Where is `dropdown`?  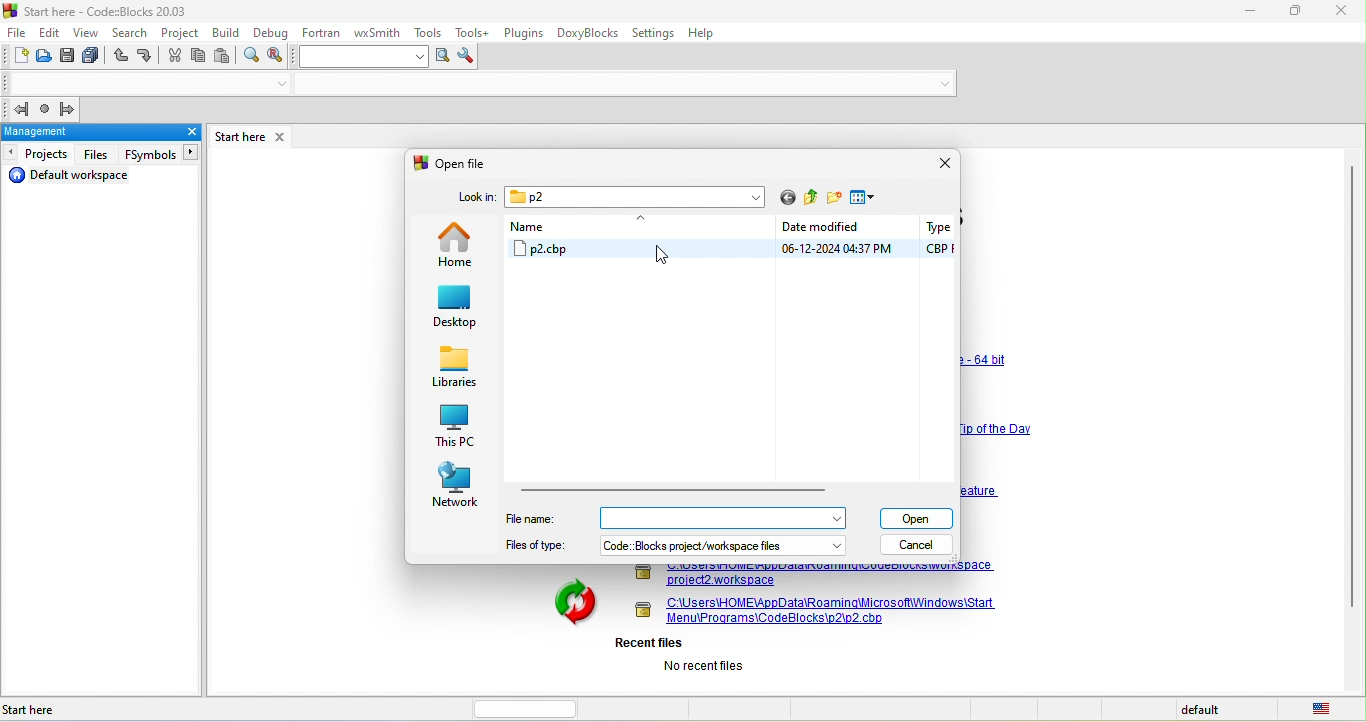 dropdown is located at coordinates (840, 544).